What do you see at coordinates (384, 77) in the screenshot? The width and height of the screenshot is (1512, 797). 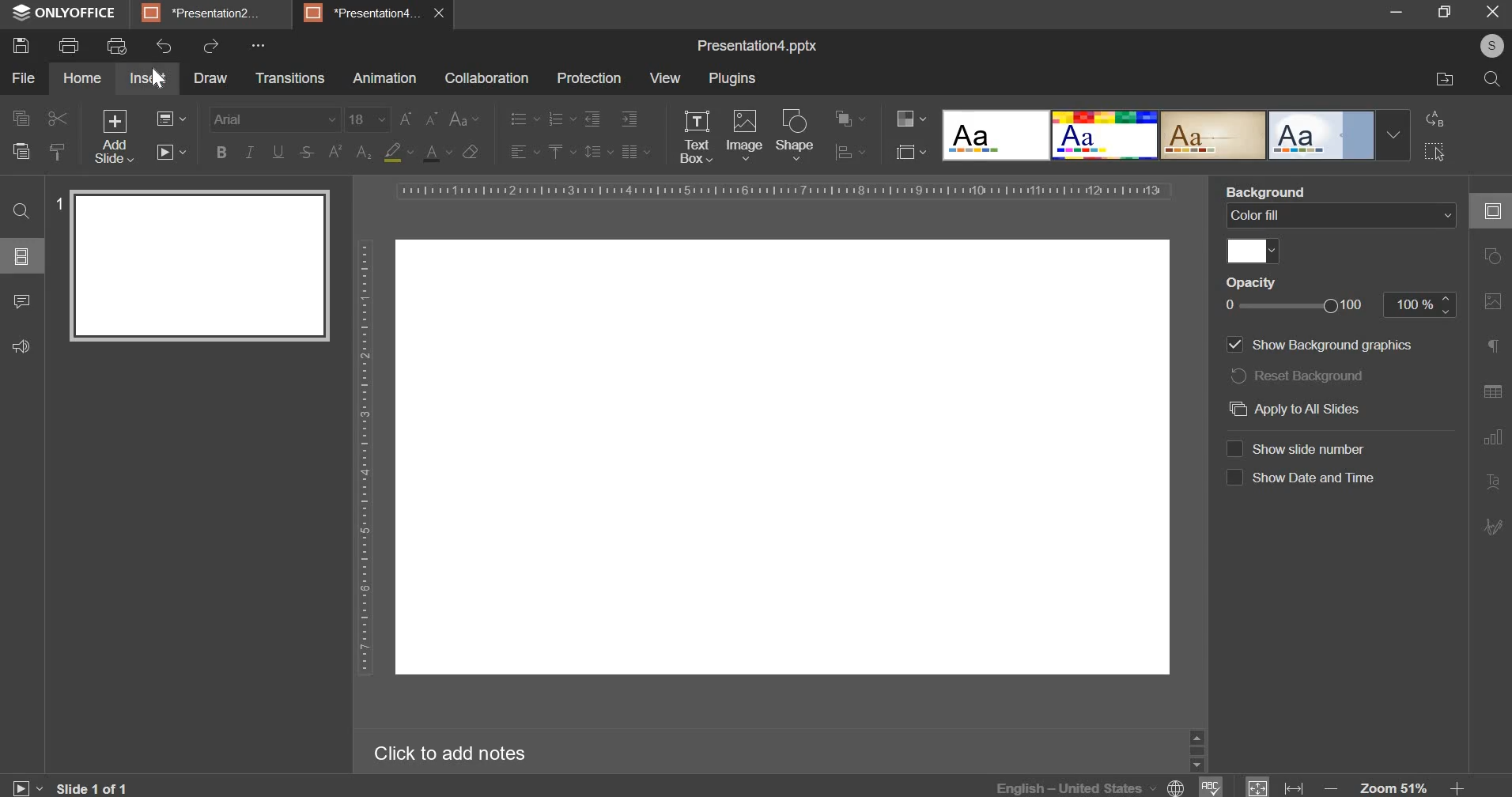 I see `animation` at bounding box center [384, 77].